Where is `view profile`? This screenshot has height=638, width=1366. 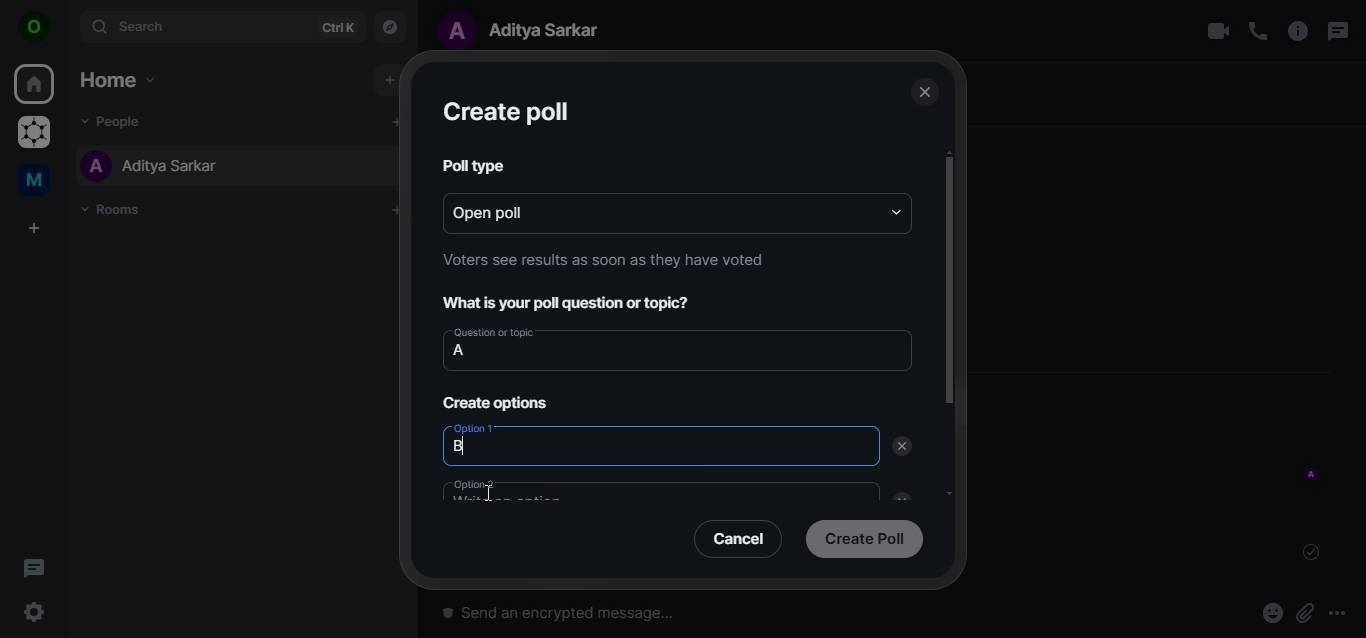
view profile is located at coordinates (35, 29).